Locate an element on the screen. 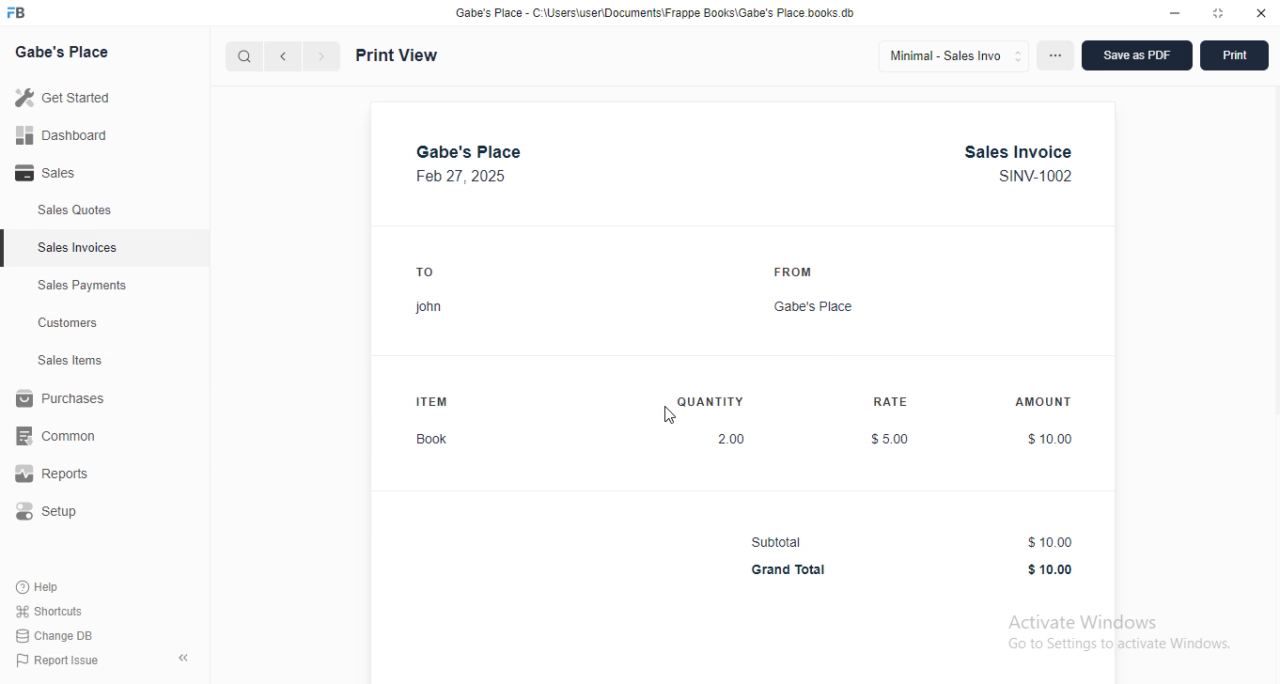 This screenshot has height=684, width=1280. Gabe's Place - C:\Users\user\Documents\Frappe Books\Gabe's Place.books db is located at coordinates (655, 13).